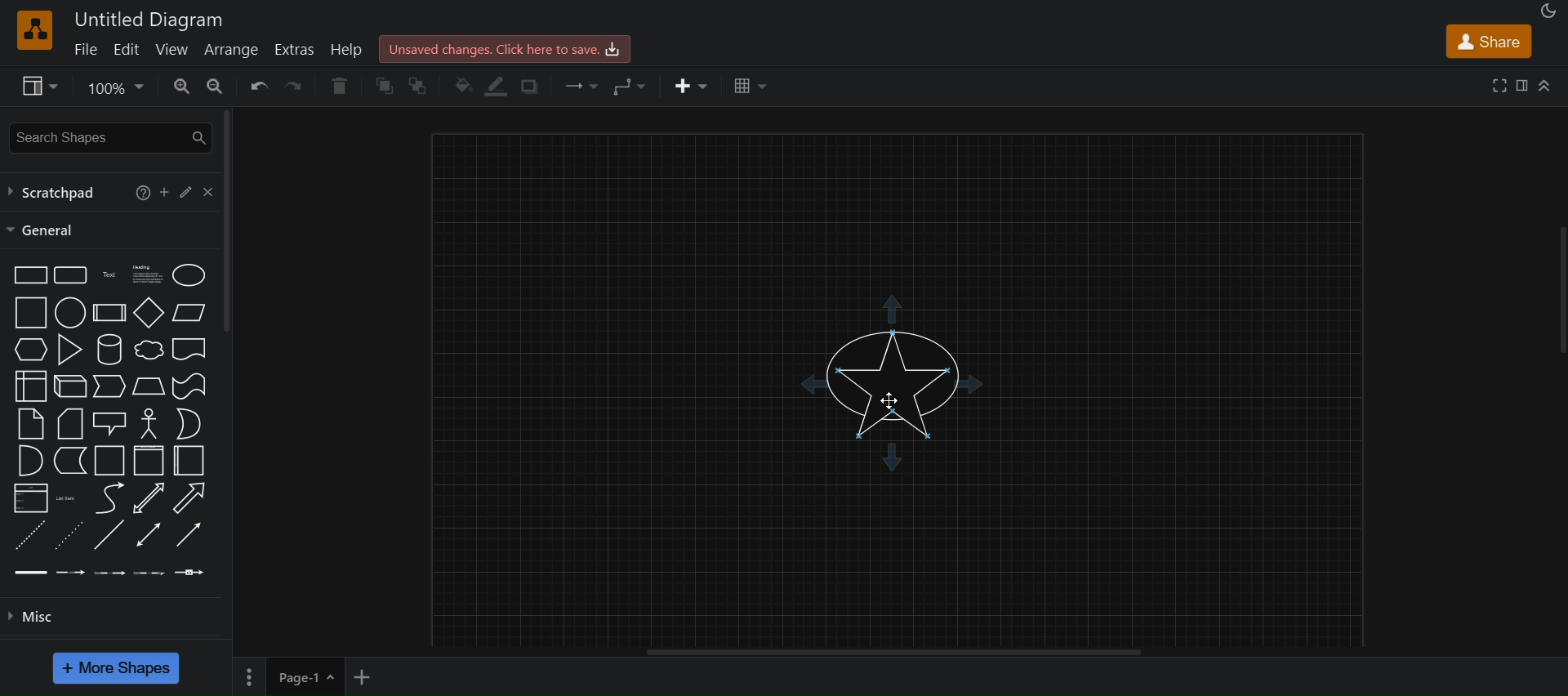  Describe the element at coordinates (371, 676) in the screenshot. I see `add new page` at that location.